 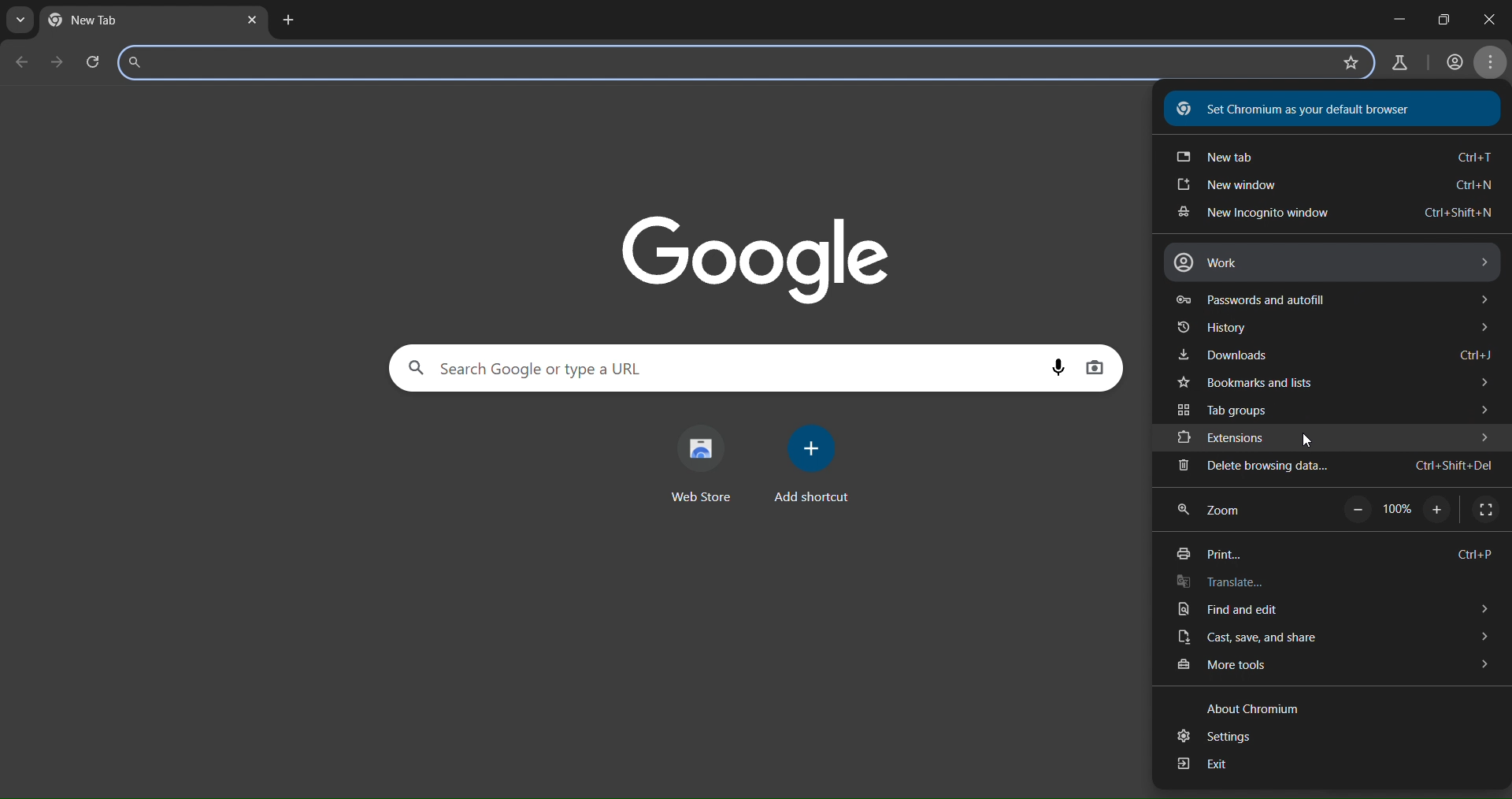 I want to click on tab groups, so click(x=1338, y=410).